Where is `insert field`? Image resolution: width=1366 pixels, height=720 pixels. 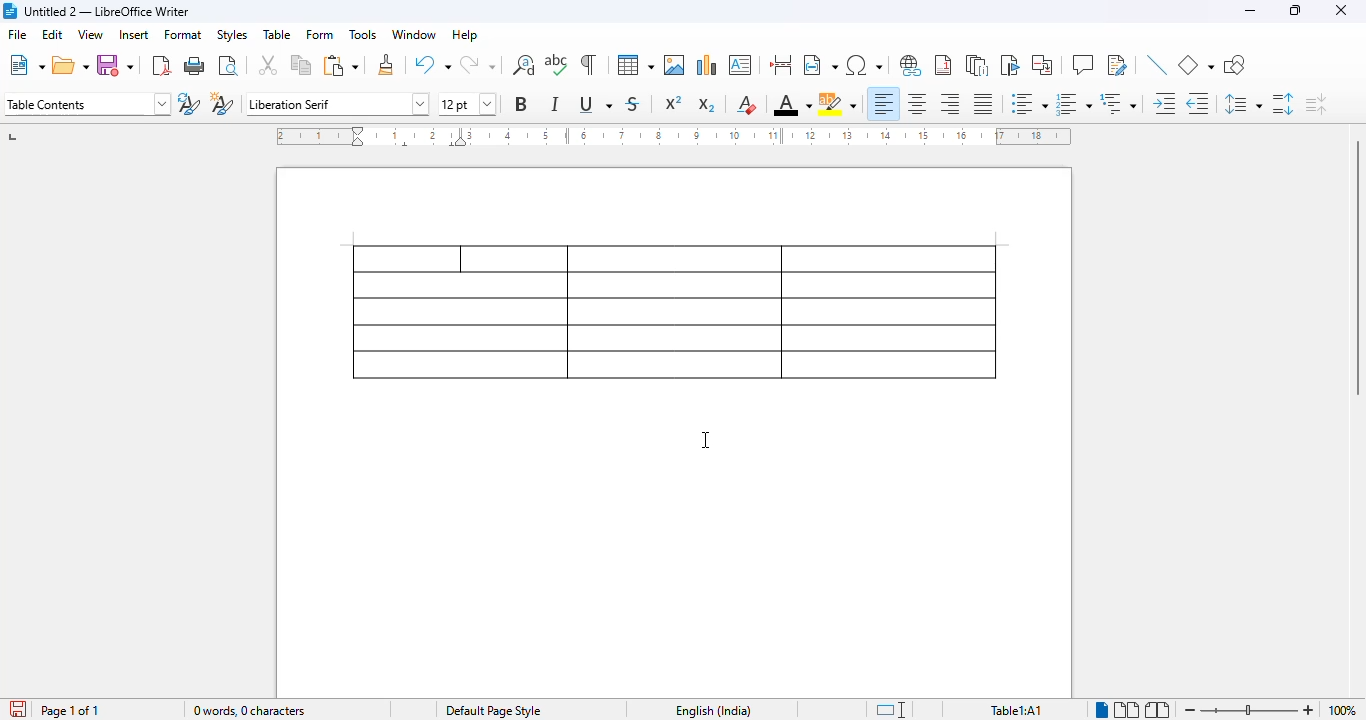
insert field is located at coordinates (820, 64).